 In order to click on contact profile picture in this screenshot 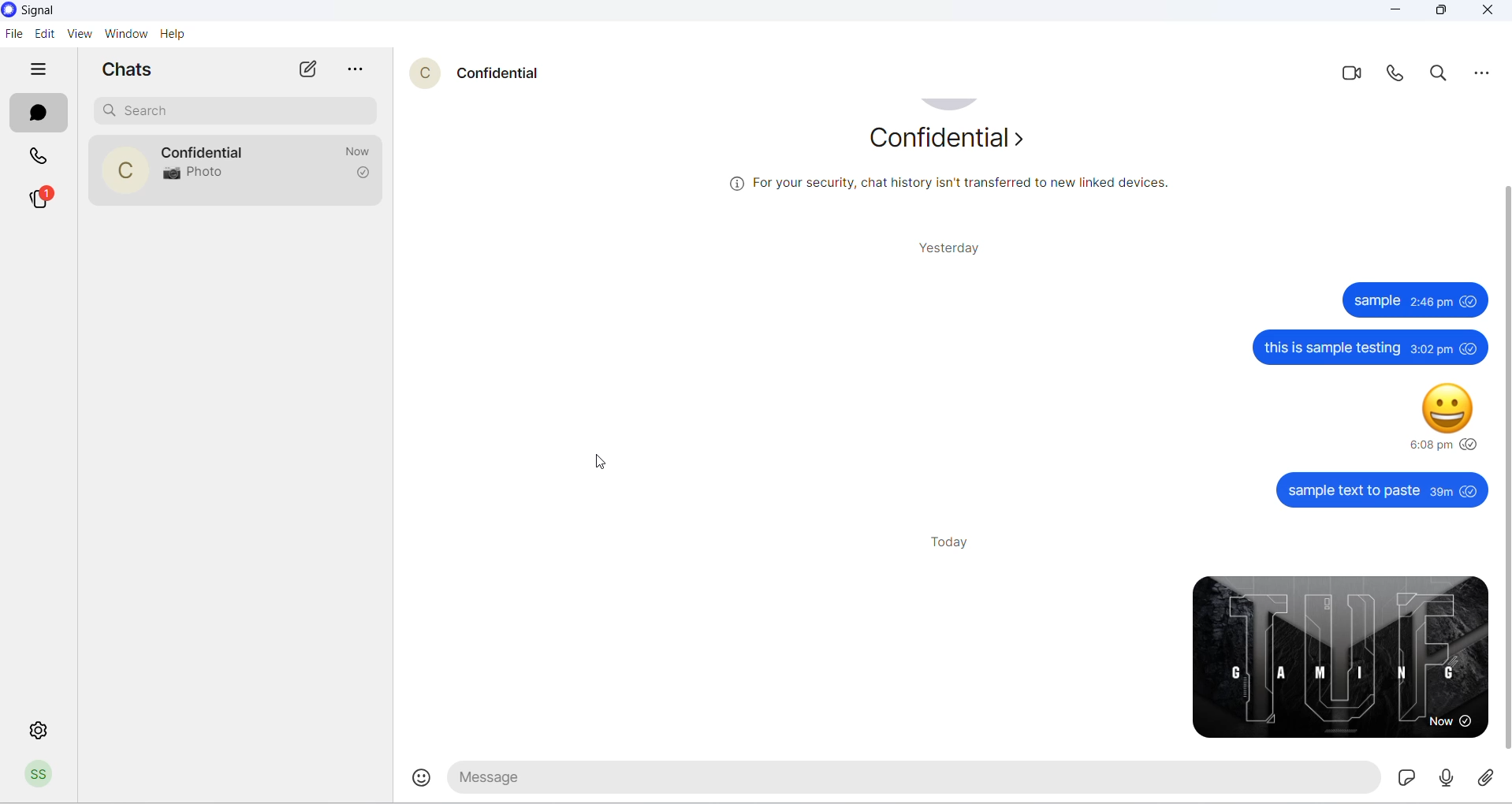, I will do `click(427, 73)`.